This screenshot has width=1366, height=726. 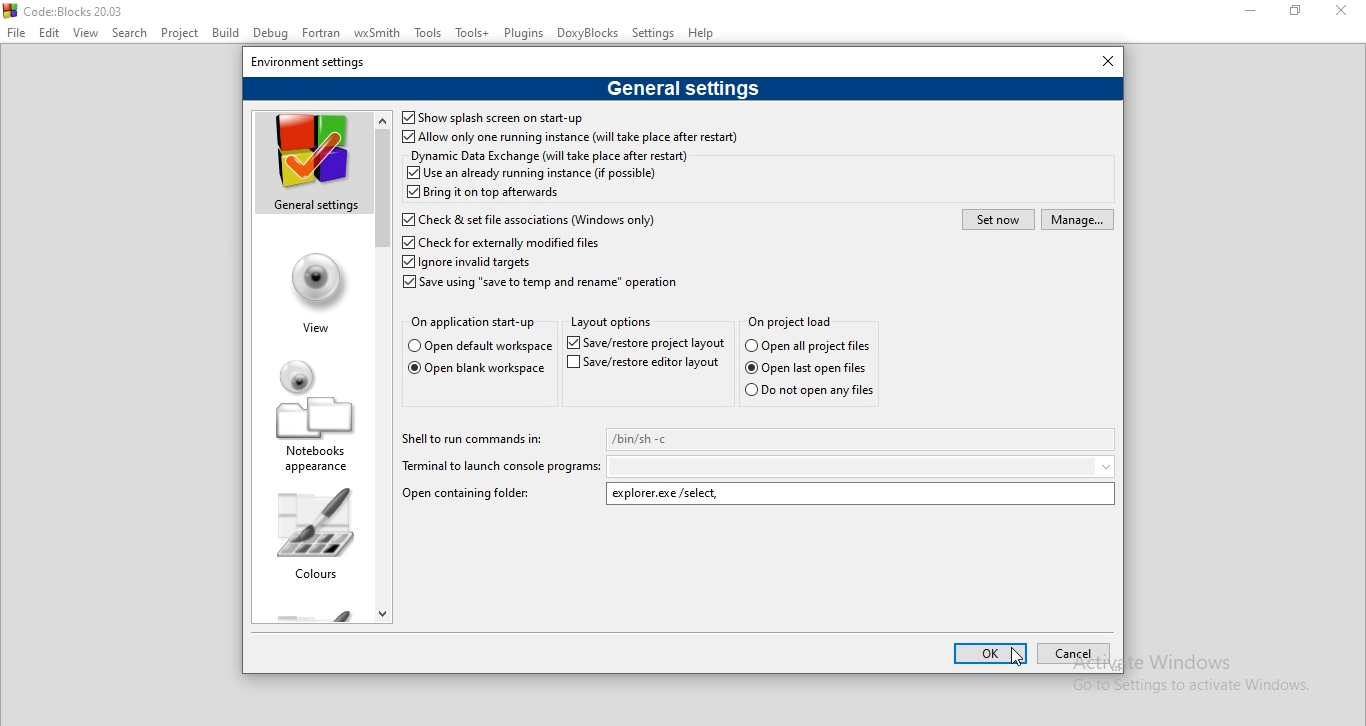 I want to click on explorer.exe/select, so click(x=861, y=494).